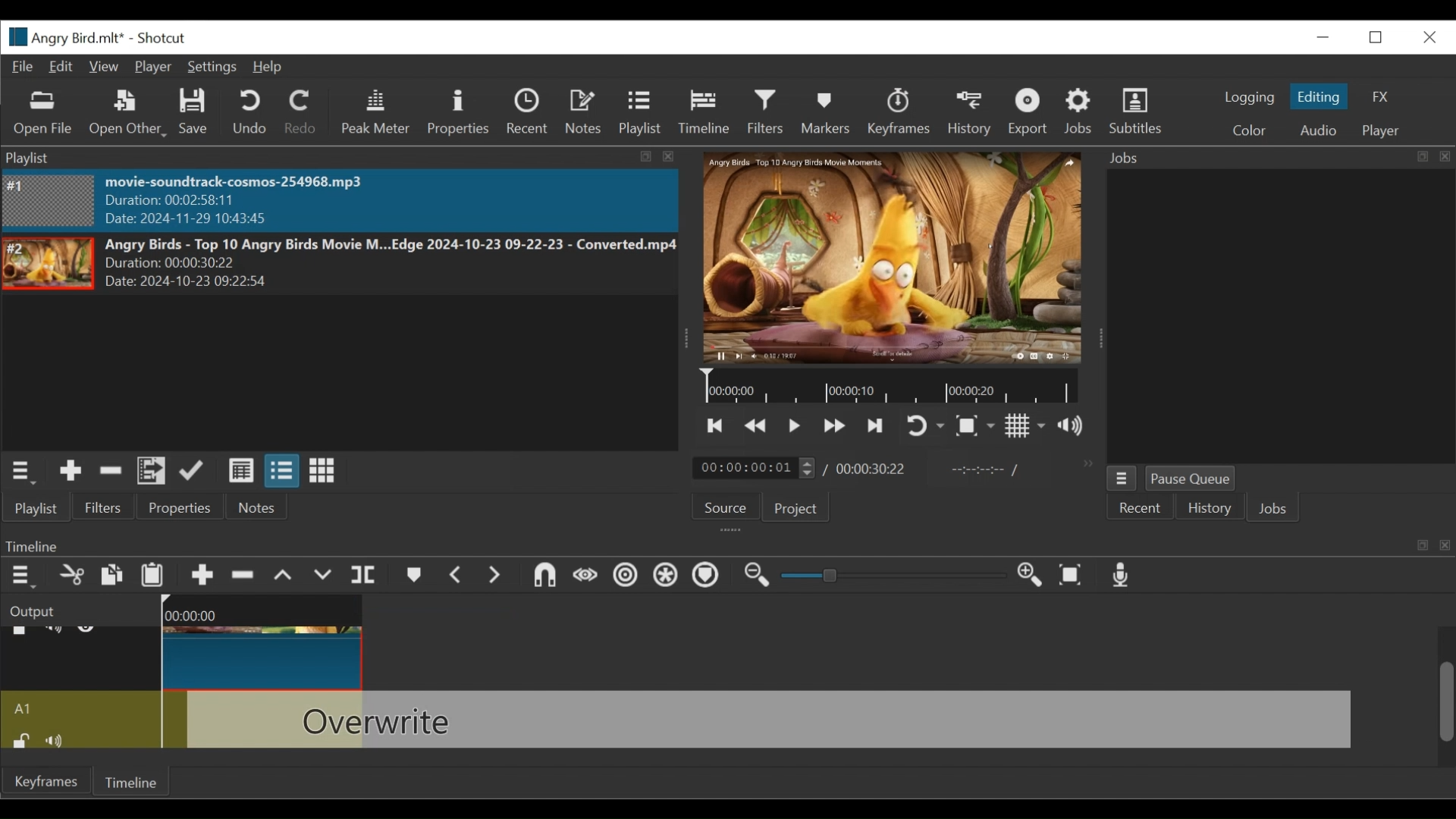 The width and height of the screenshot is (1456, 819). I want to click on Scrub while dragging, so click(583, 576).